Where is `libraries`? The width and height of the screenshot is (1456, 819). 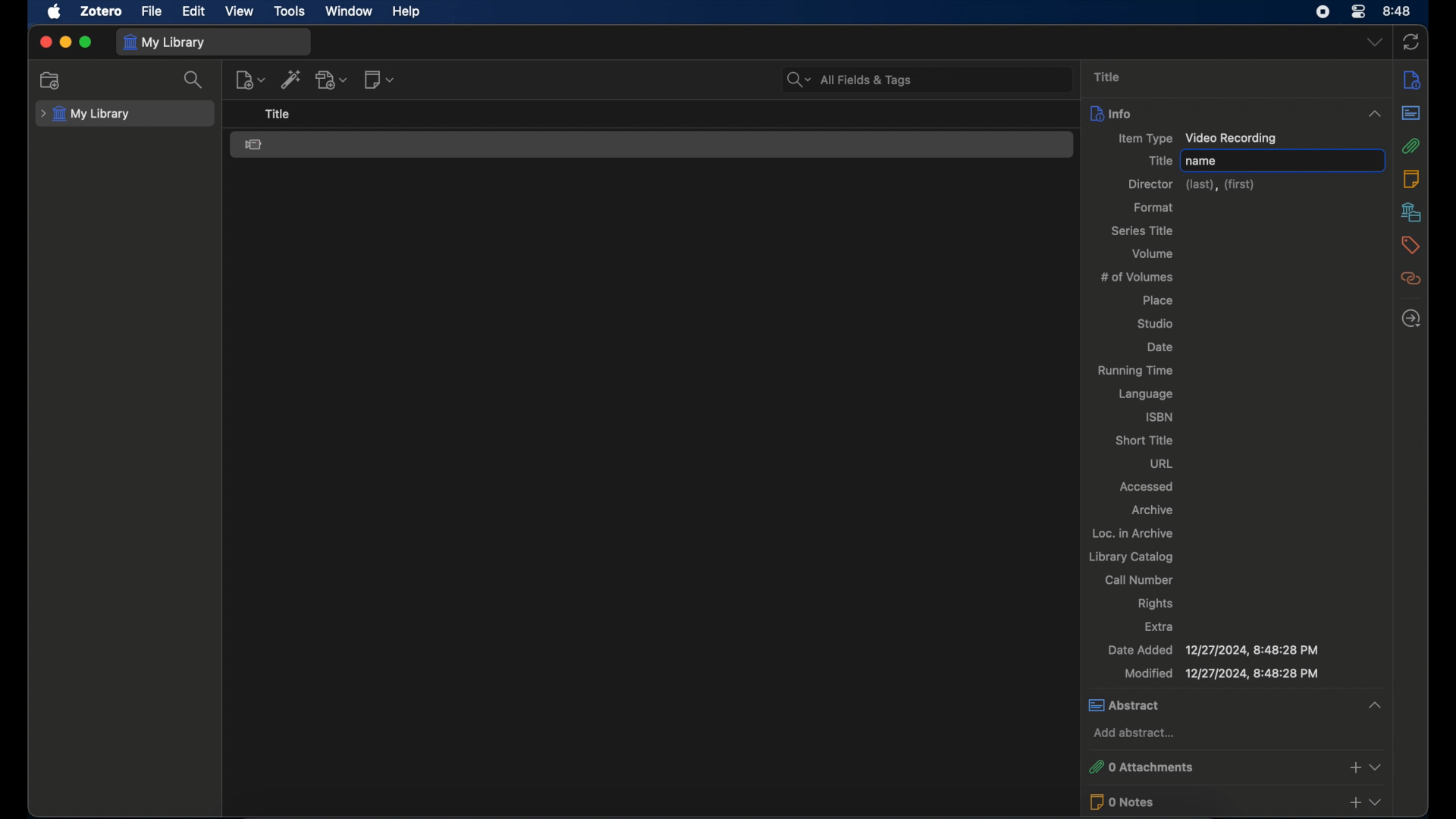
libraries is located at coordinates (1411, 212).